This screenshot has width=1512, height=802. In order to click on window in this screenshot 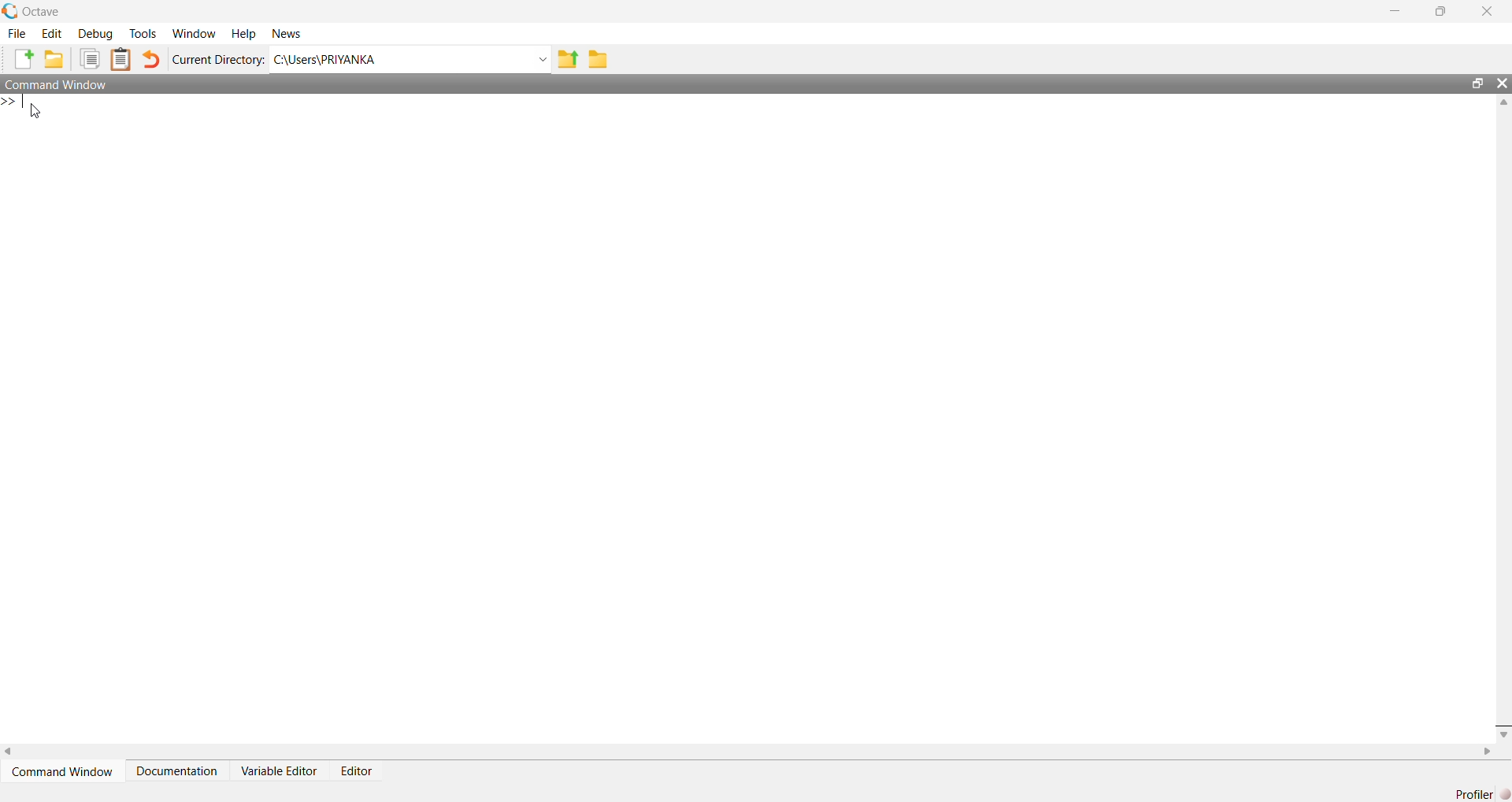, I will do `click(195, 33)`.